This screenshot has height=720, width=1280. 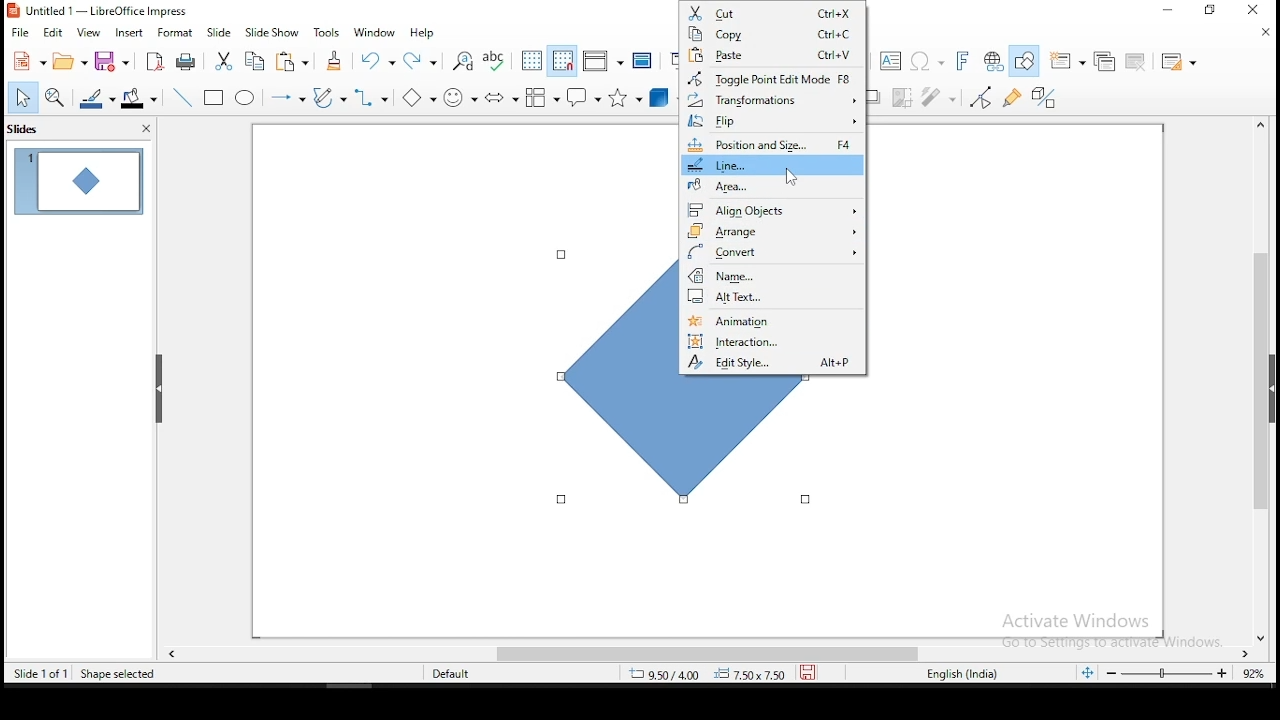 What do you see at coordinates (1261, 380) in the screenshot?
I see `scroll bar` at bounding box center [1261, 380].